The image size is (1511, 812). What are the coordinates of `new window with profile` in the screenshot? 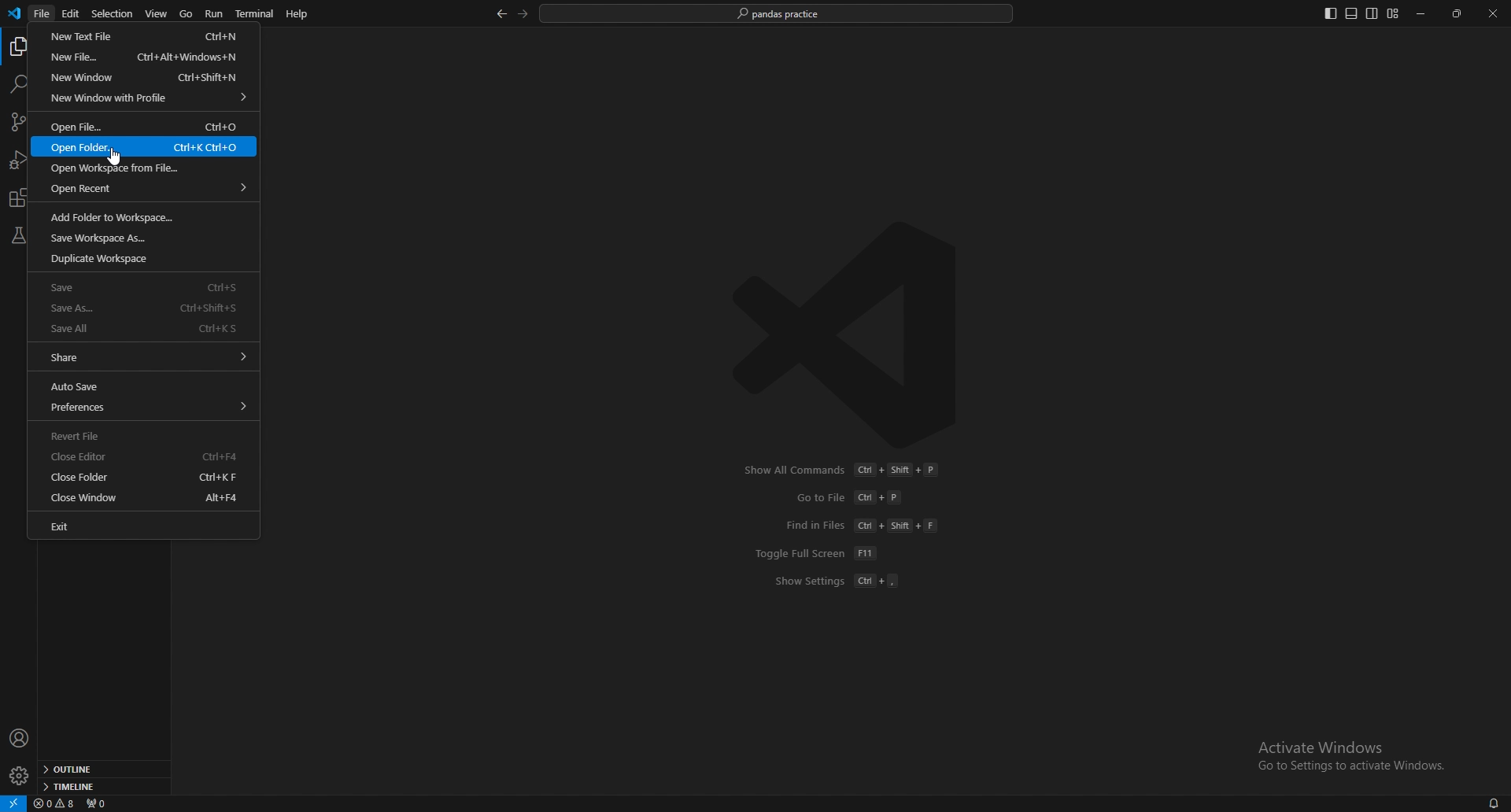 It's located at (146, 98).